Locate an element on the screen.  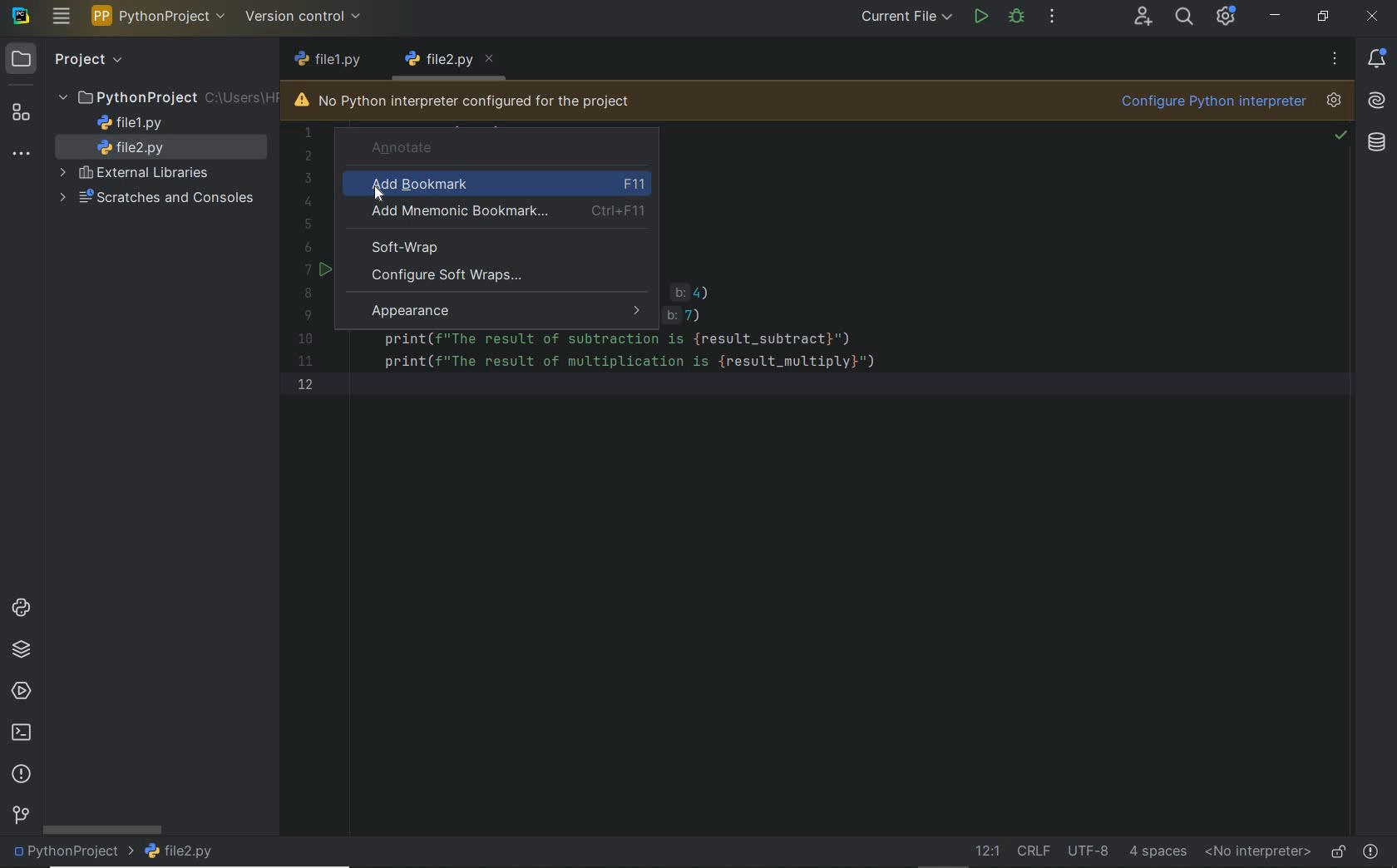
debug is located at coordinates (1016, 19).